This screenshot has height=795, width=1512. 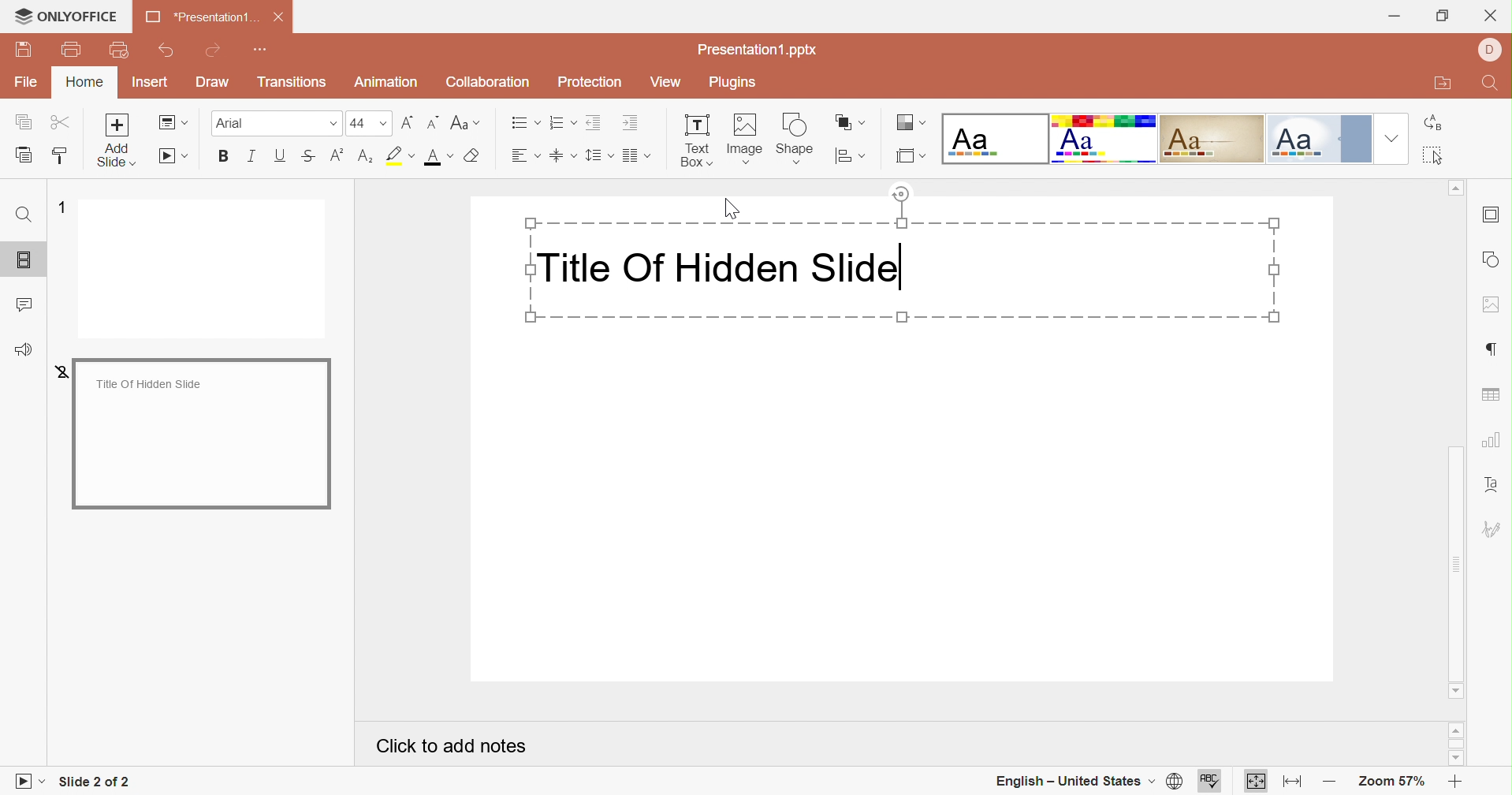 What do you see at coordinates (1493, 395) in the screenshot?
I see `Table settings` at bounding box center [1493, 395].